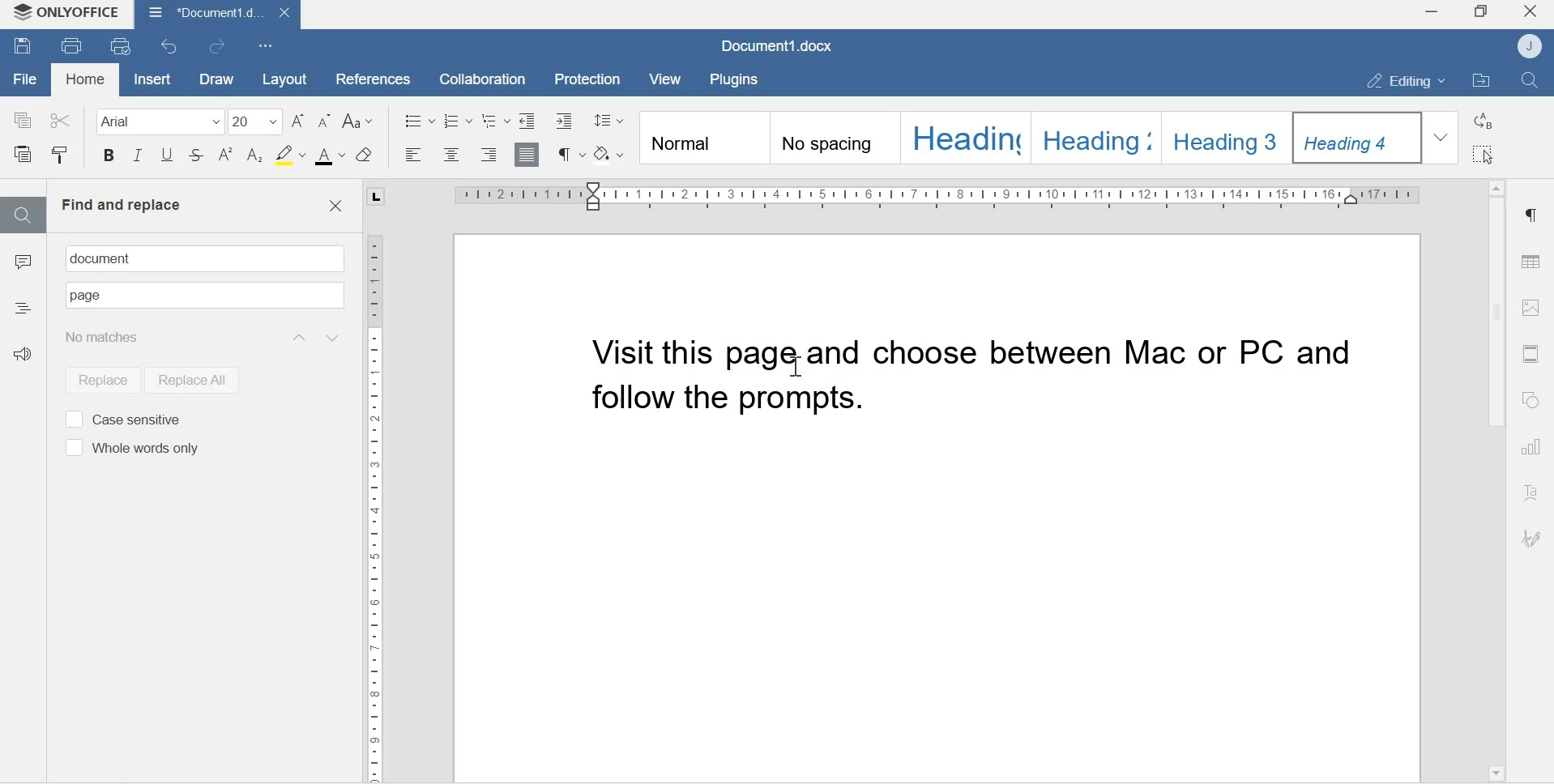 The width and height of the screenshot is (1554, 784). What do you see at coordinates (23, 306) in the screenshot?
I see `Headings` at bounding box center [23, 306].